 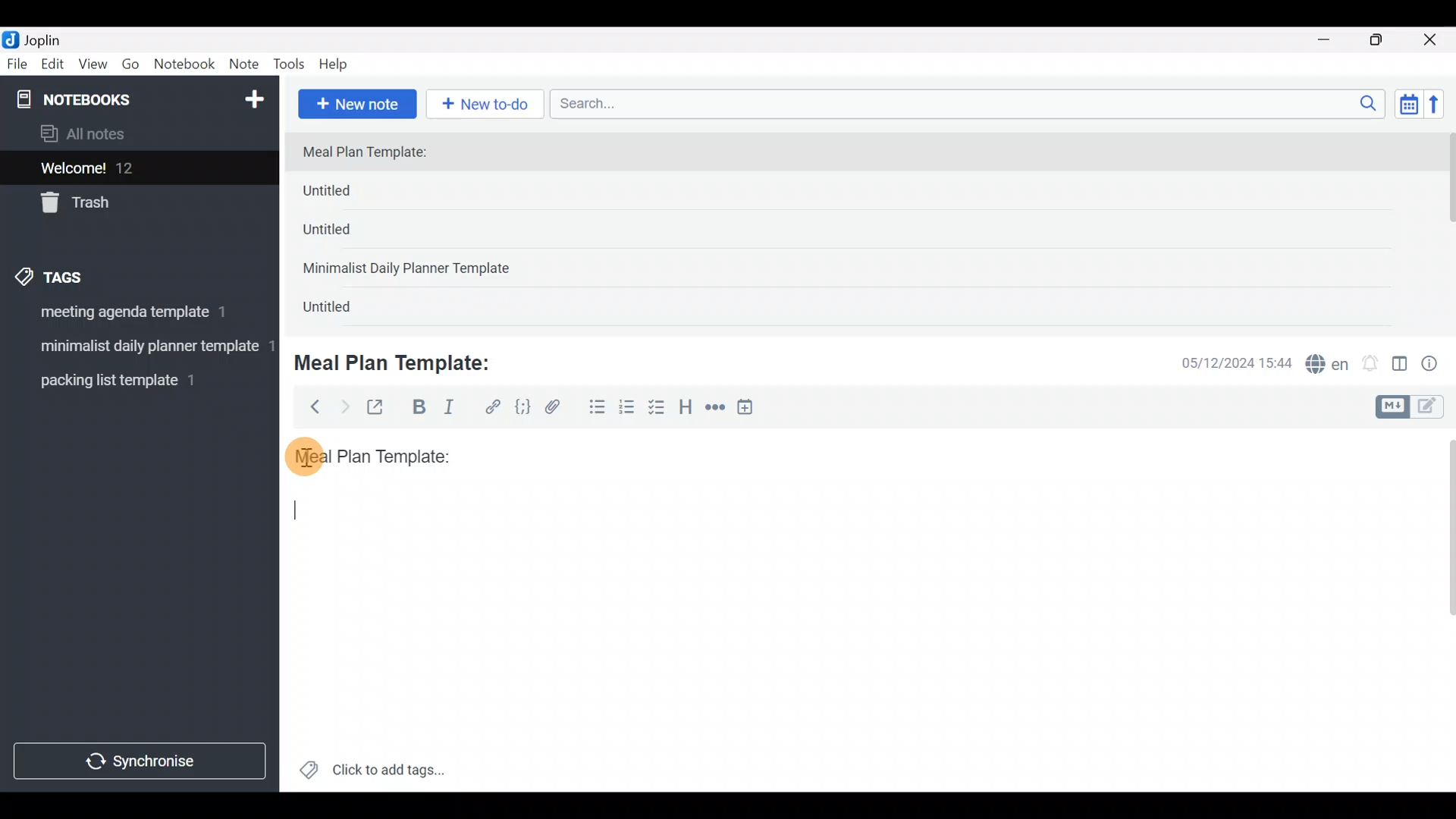 What do you see at coordinates (18, 64) in the screenshot?
I see `File` at bounding box center [18, 64].